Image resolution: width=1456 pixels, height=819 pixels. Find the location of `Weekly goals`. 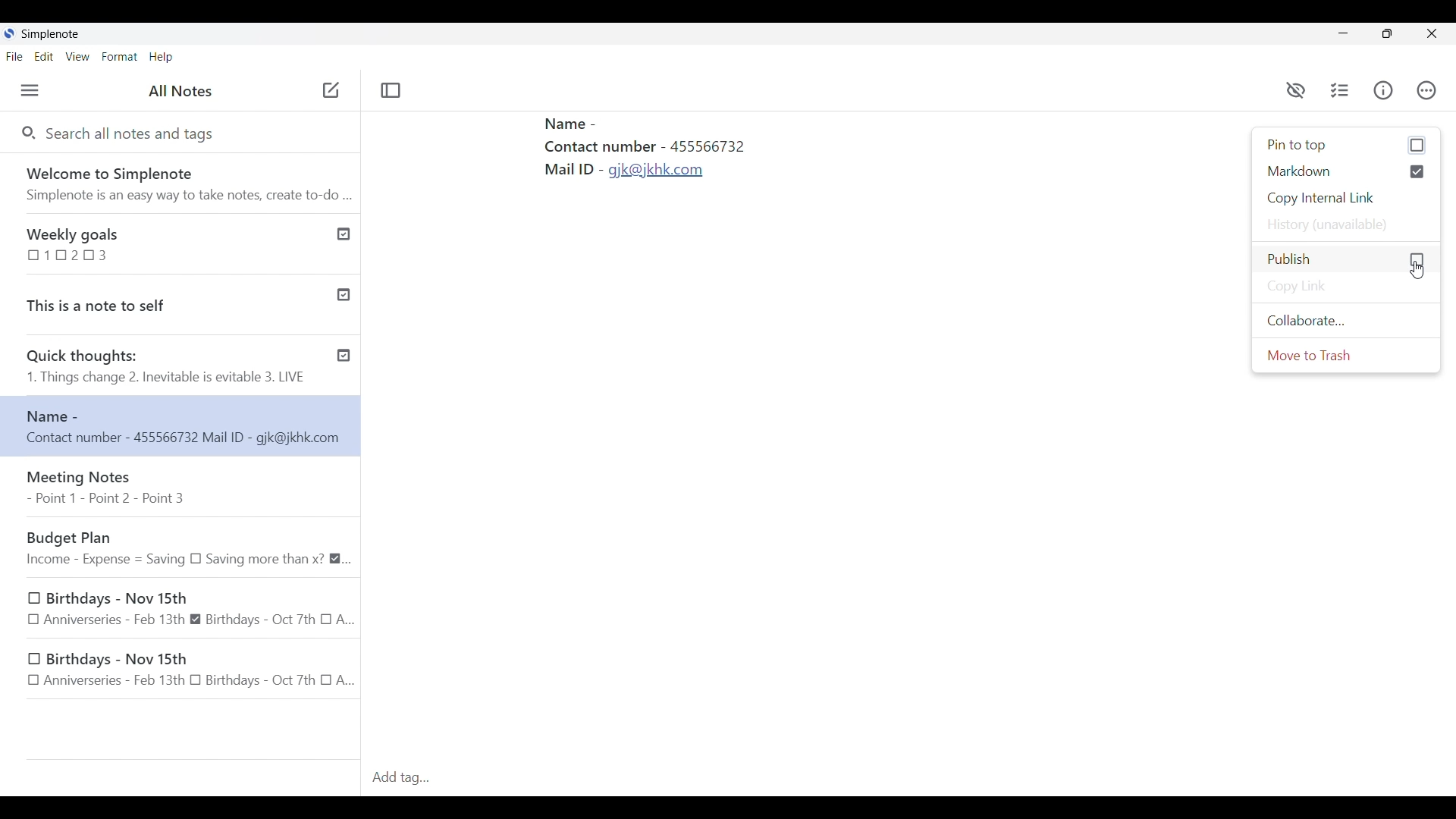

Weekly goals is located at coordinates (162, 243).